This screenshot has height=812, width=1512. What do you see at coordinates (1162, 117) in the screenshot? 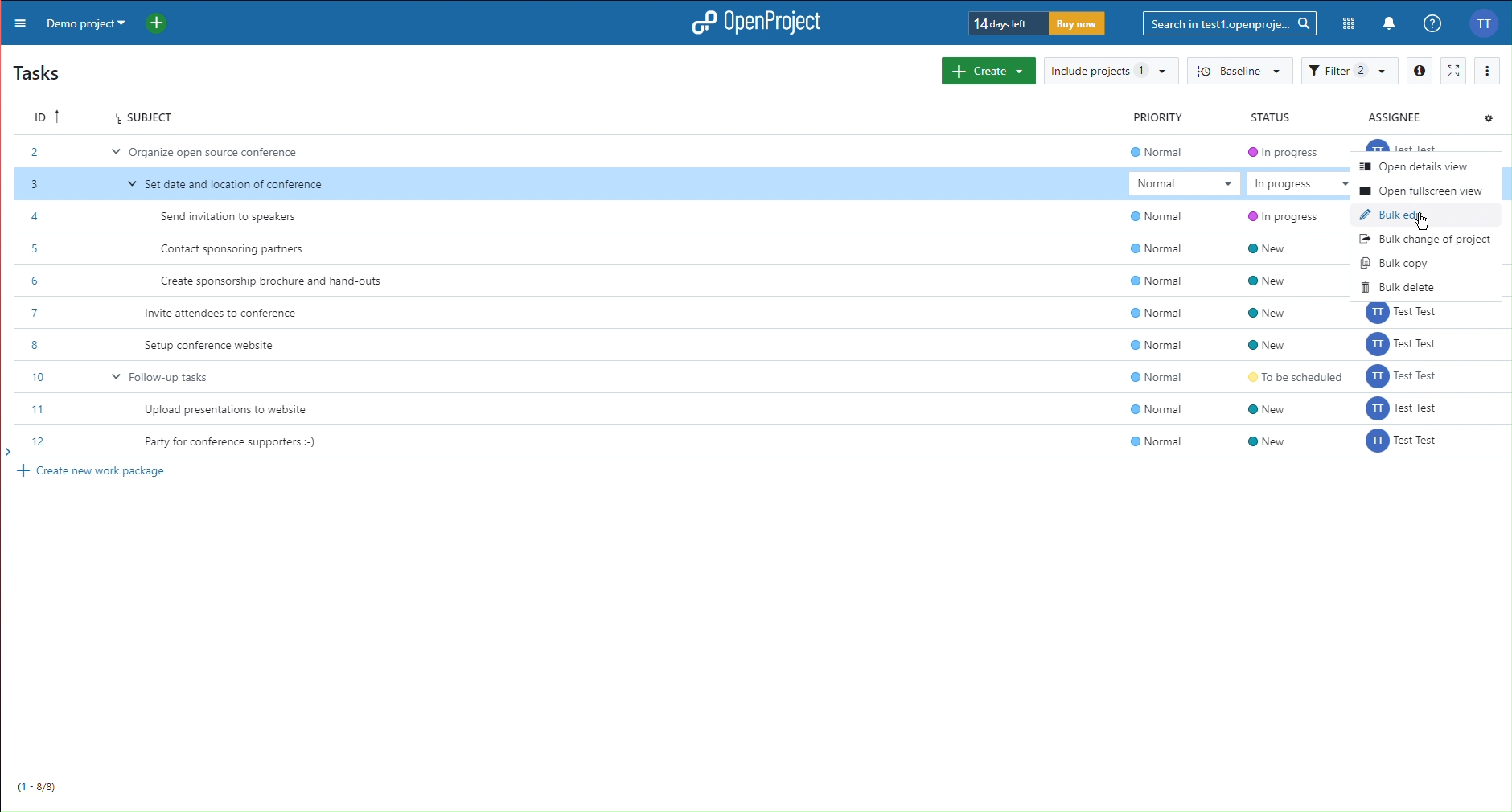
I see `Priority` at bounding box center [1162, 117].